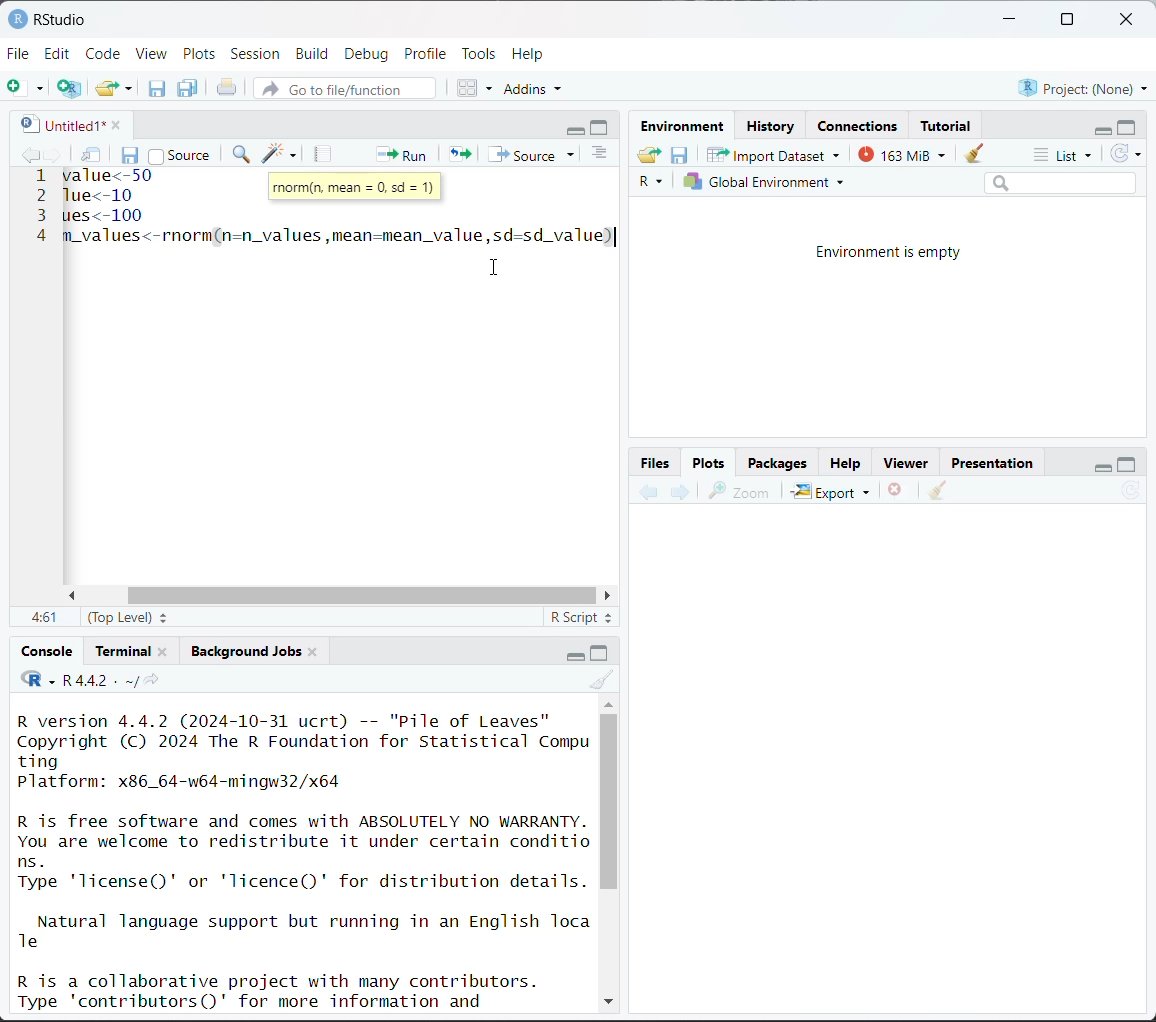  I want to click on Help, so click(845, 465).